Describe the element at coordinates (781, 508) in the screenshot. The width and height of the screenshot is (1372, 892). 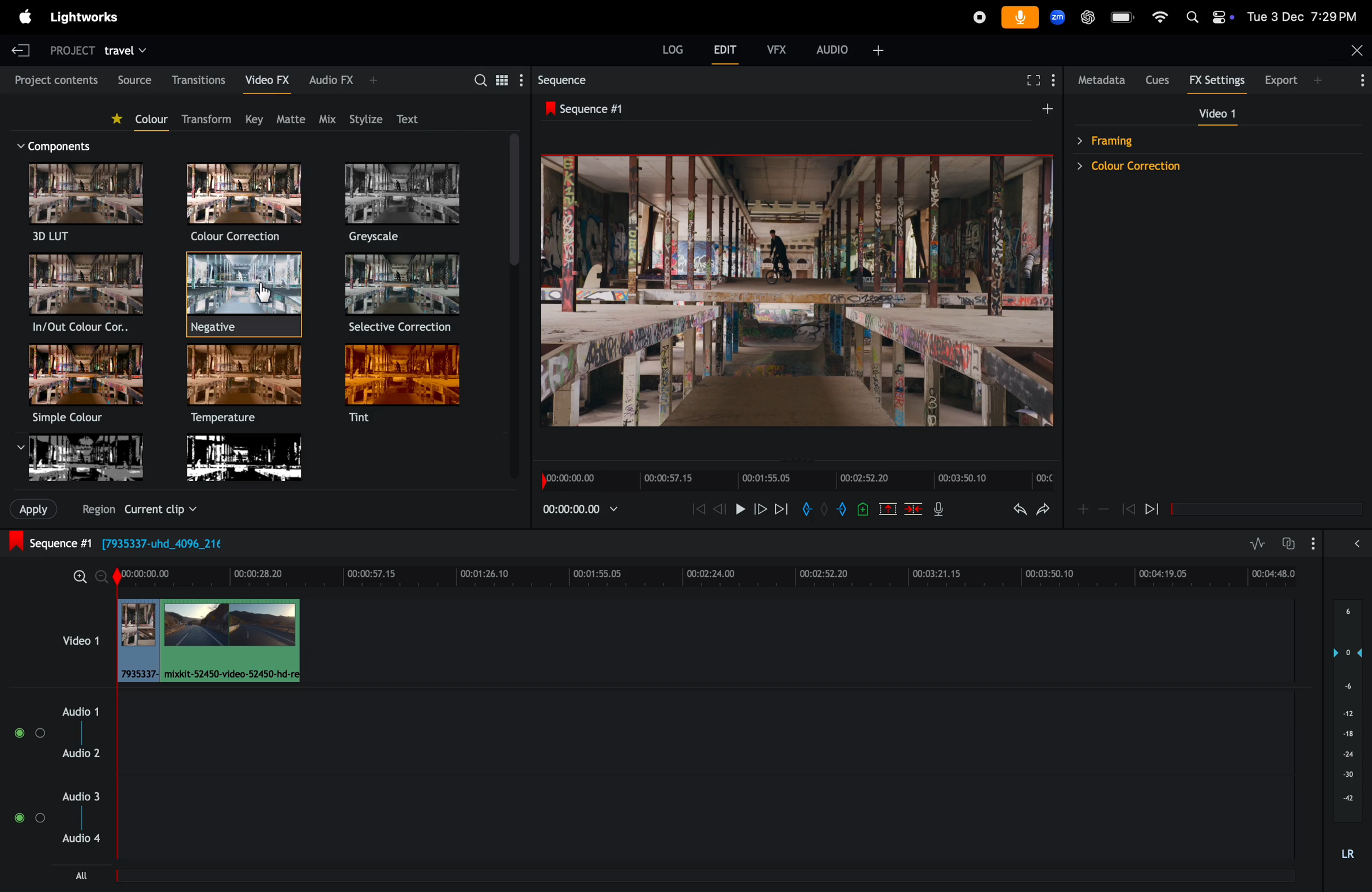
I see `next frame` at that location.